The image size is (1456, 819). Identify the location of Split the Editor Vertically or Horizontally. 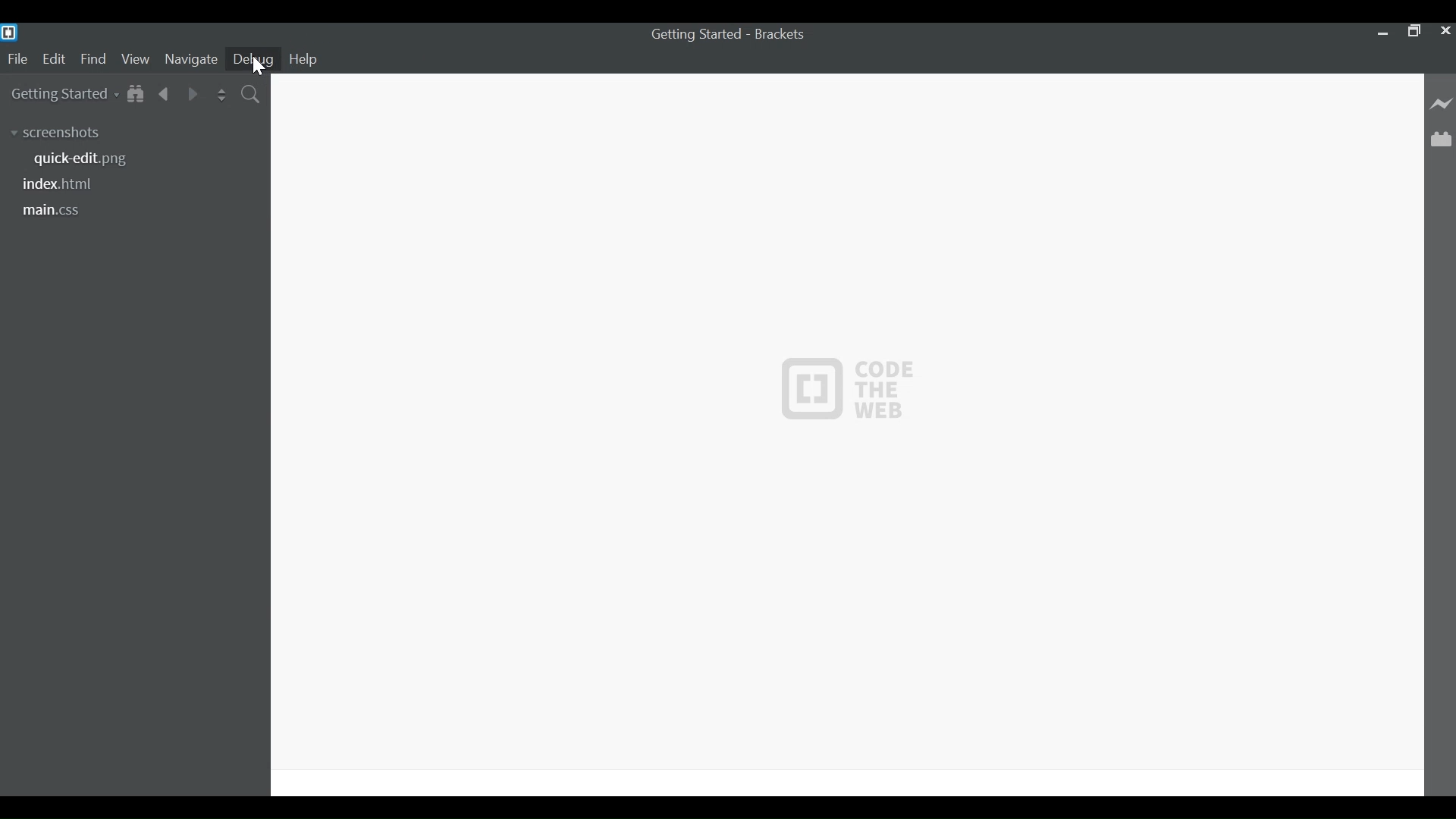
(221, 93).